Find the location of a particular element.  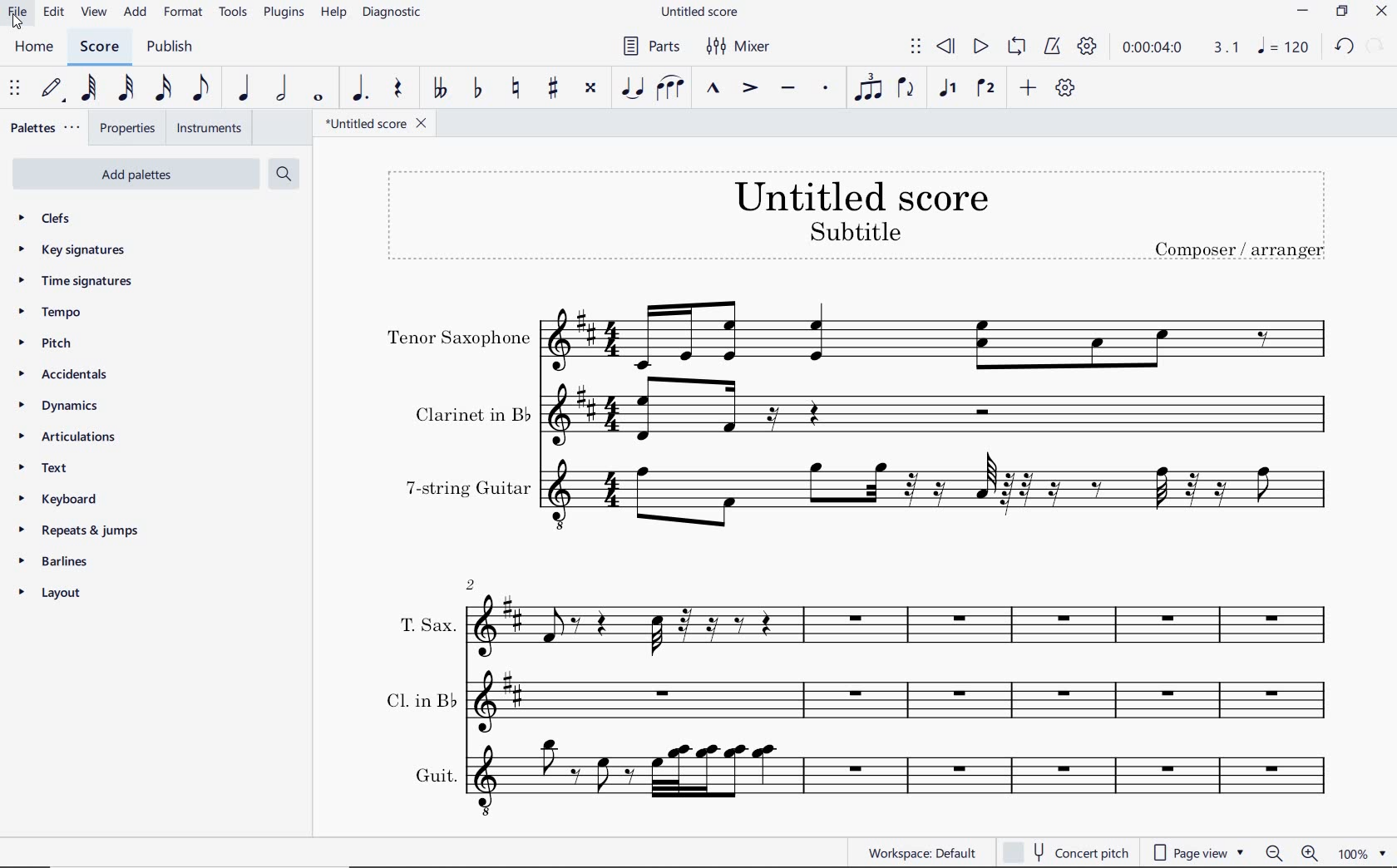

UNDO is located at coordinates (1345, 47).